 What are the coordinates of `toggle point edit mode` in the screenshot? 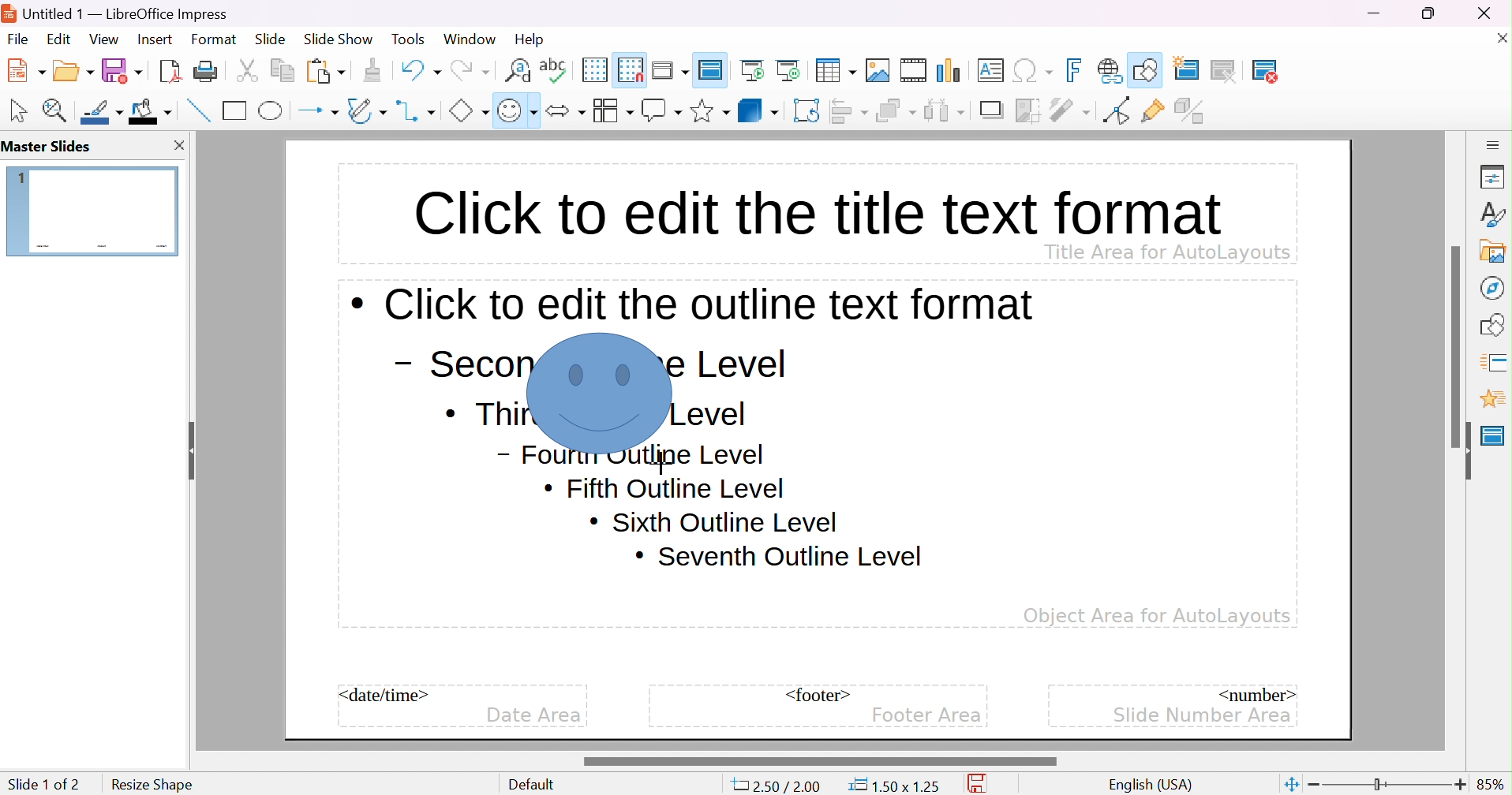 It's located at (1115, 110).